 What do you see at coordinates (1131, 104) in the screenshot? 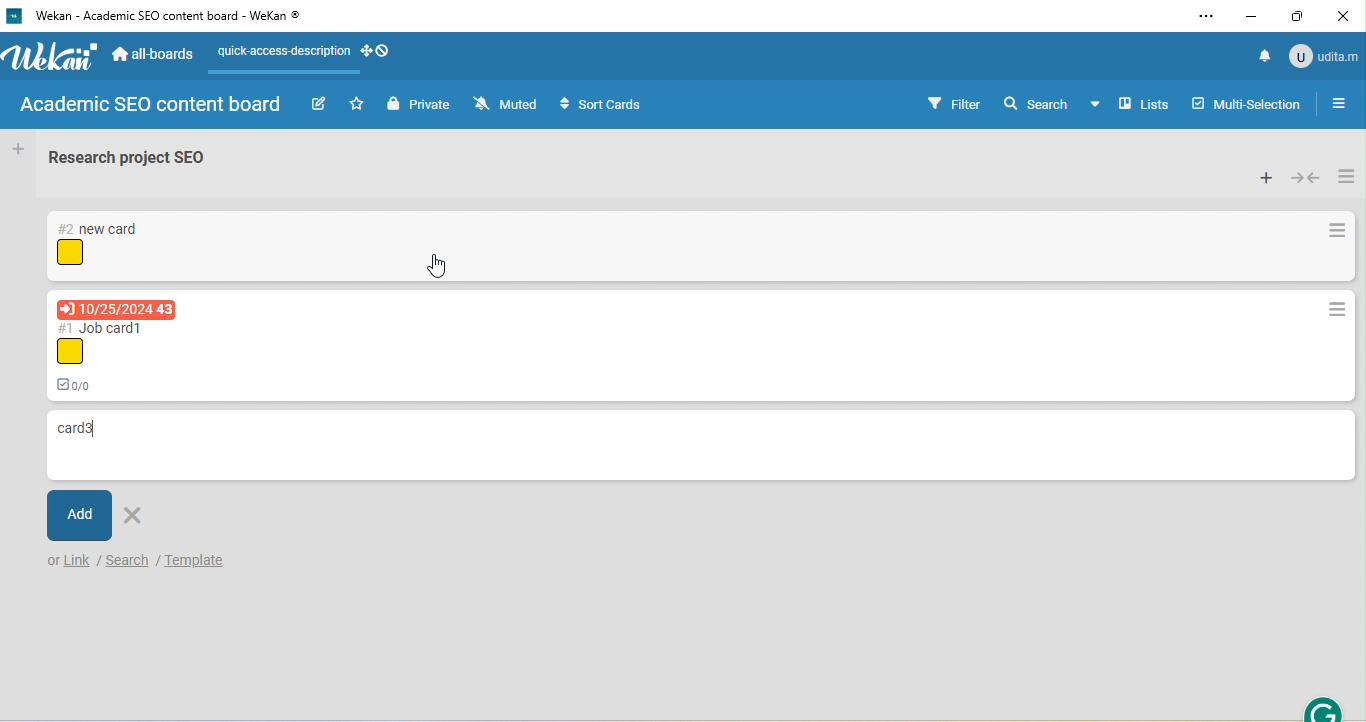
I see `board view` at bounding box center [1131, 104].